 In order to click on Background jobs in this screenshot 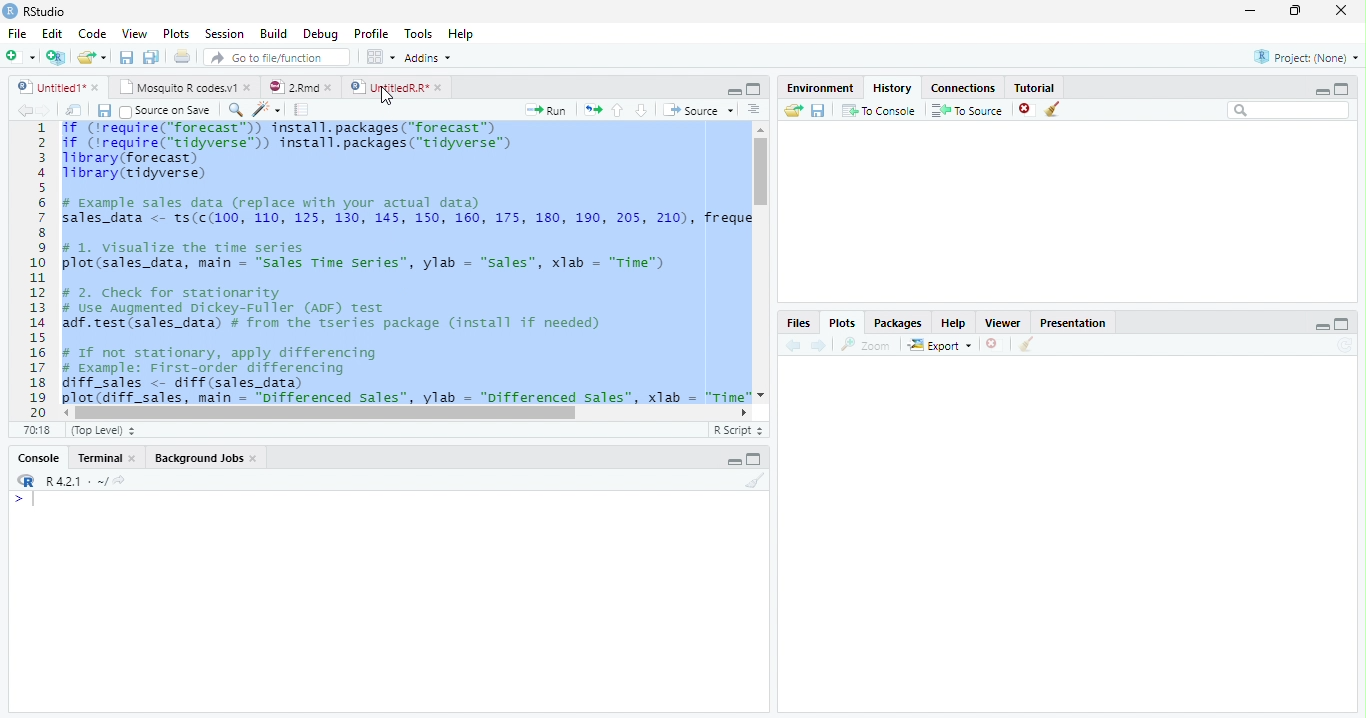, I will do `click(206, 458)`.